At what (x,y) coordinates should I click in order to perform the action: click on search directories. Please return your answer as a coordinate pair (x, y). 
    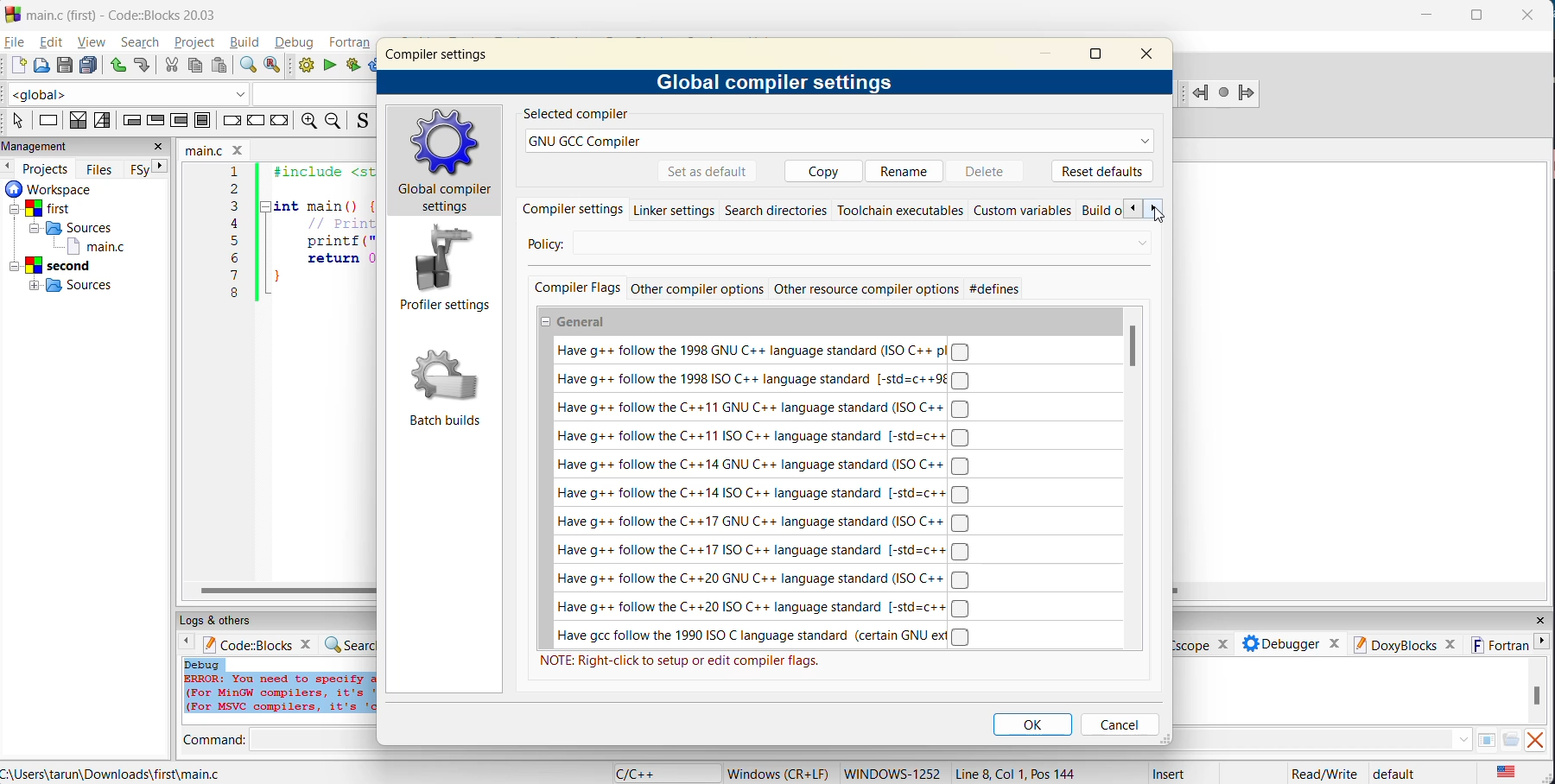
    Looking at the image, I should click on (777, 213).